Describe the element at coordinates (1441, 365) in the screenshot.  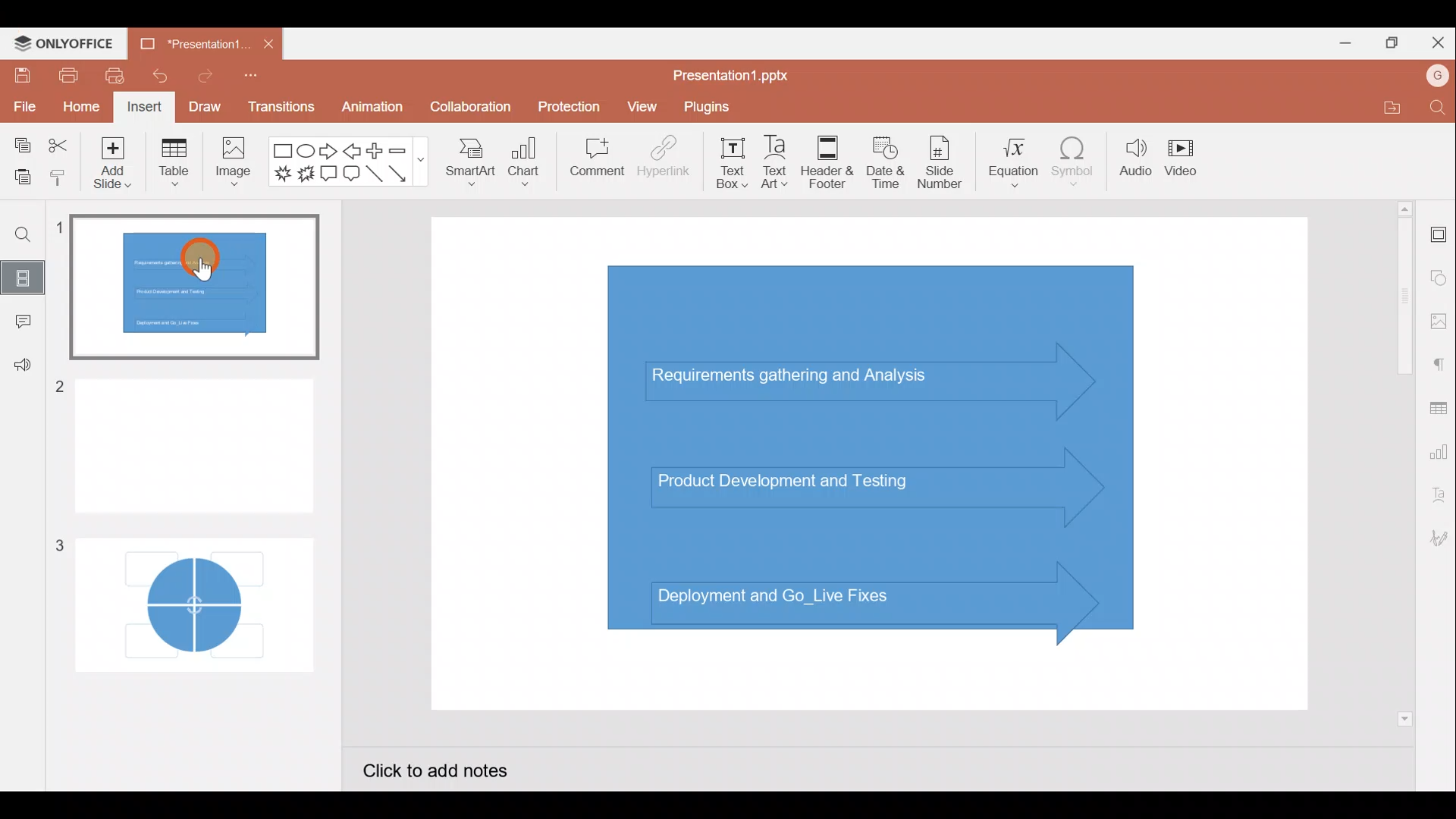
I see `Paragraph settings` at that location.